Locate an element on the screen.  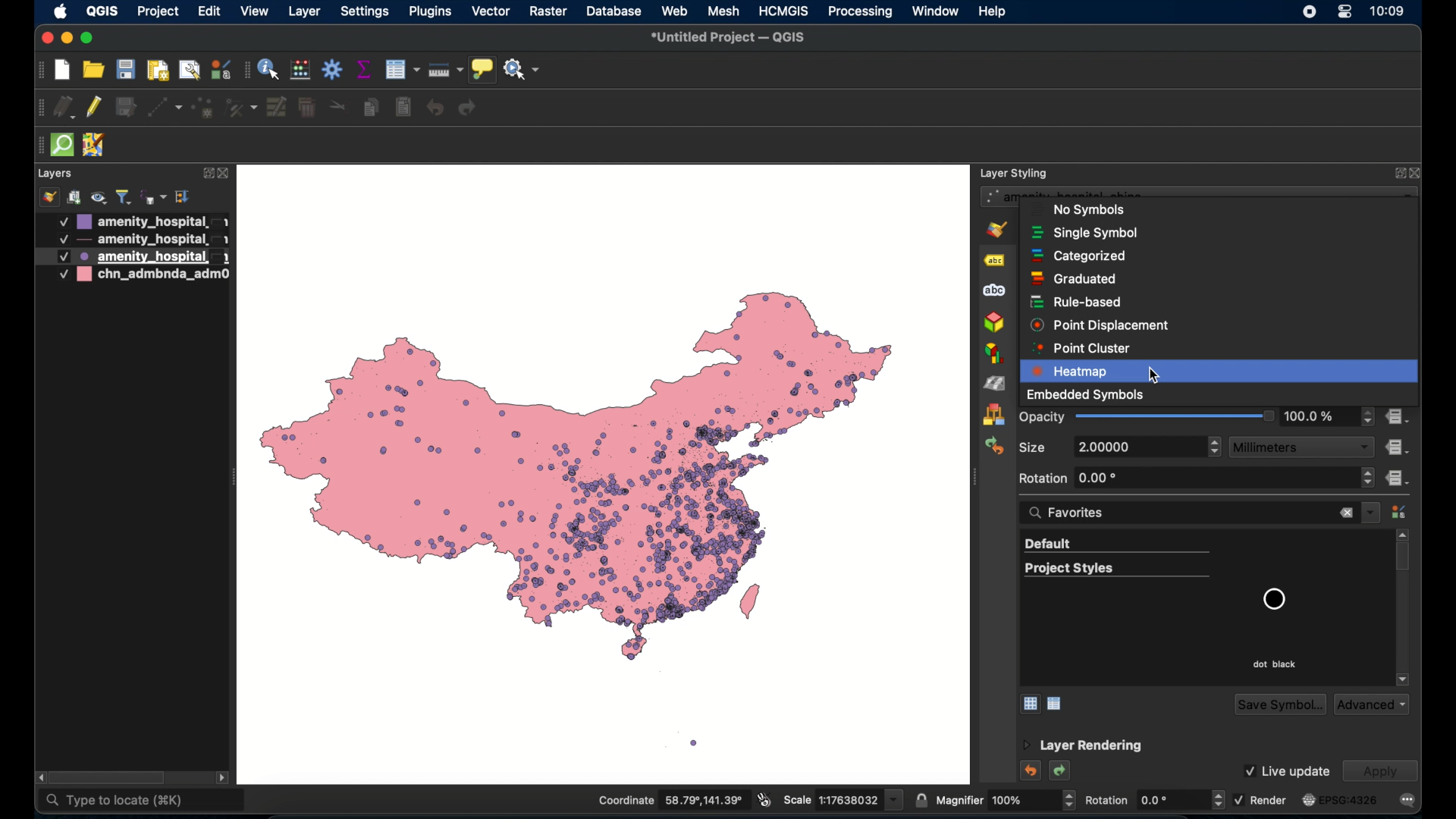
magnifier is located at coordinates (1005, 800).